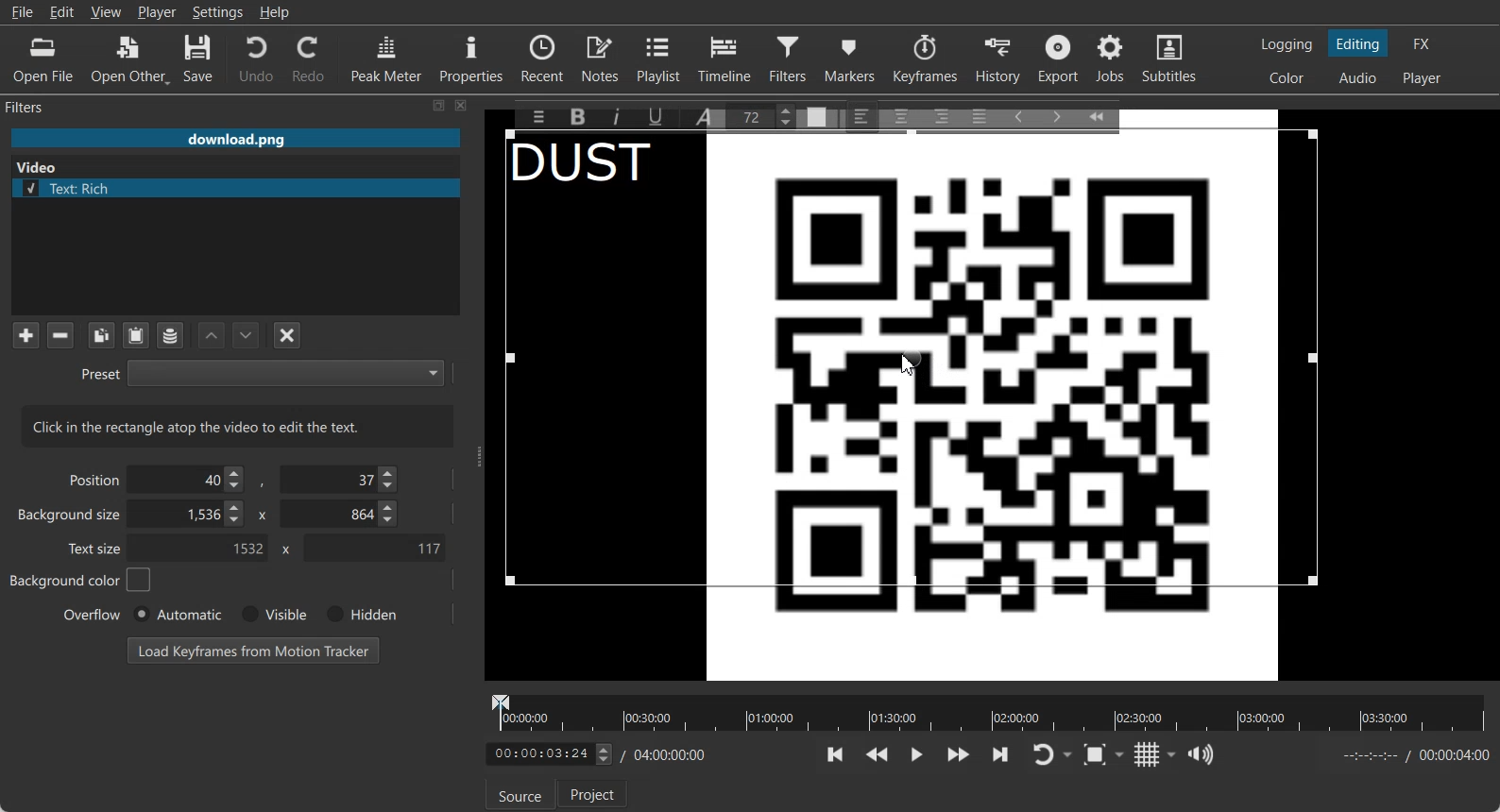 The image size is (1500, 812). What do you see at coordinates (101, 335) in the screenshot?
I see `Copy checked filters` at bounding box center [101, 335].